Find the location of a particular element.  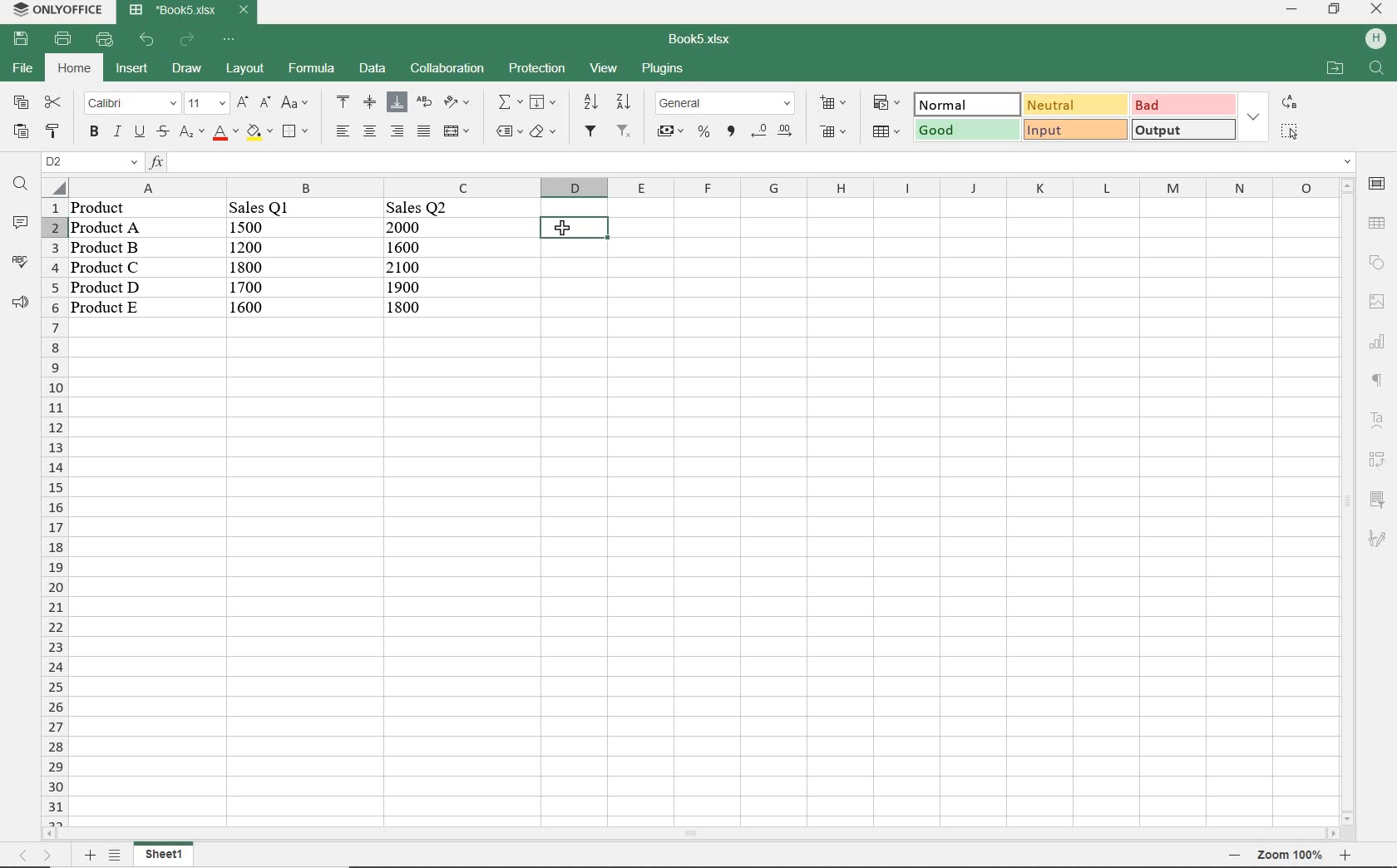

redo is located at coordinates (189, 39).